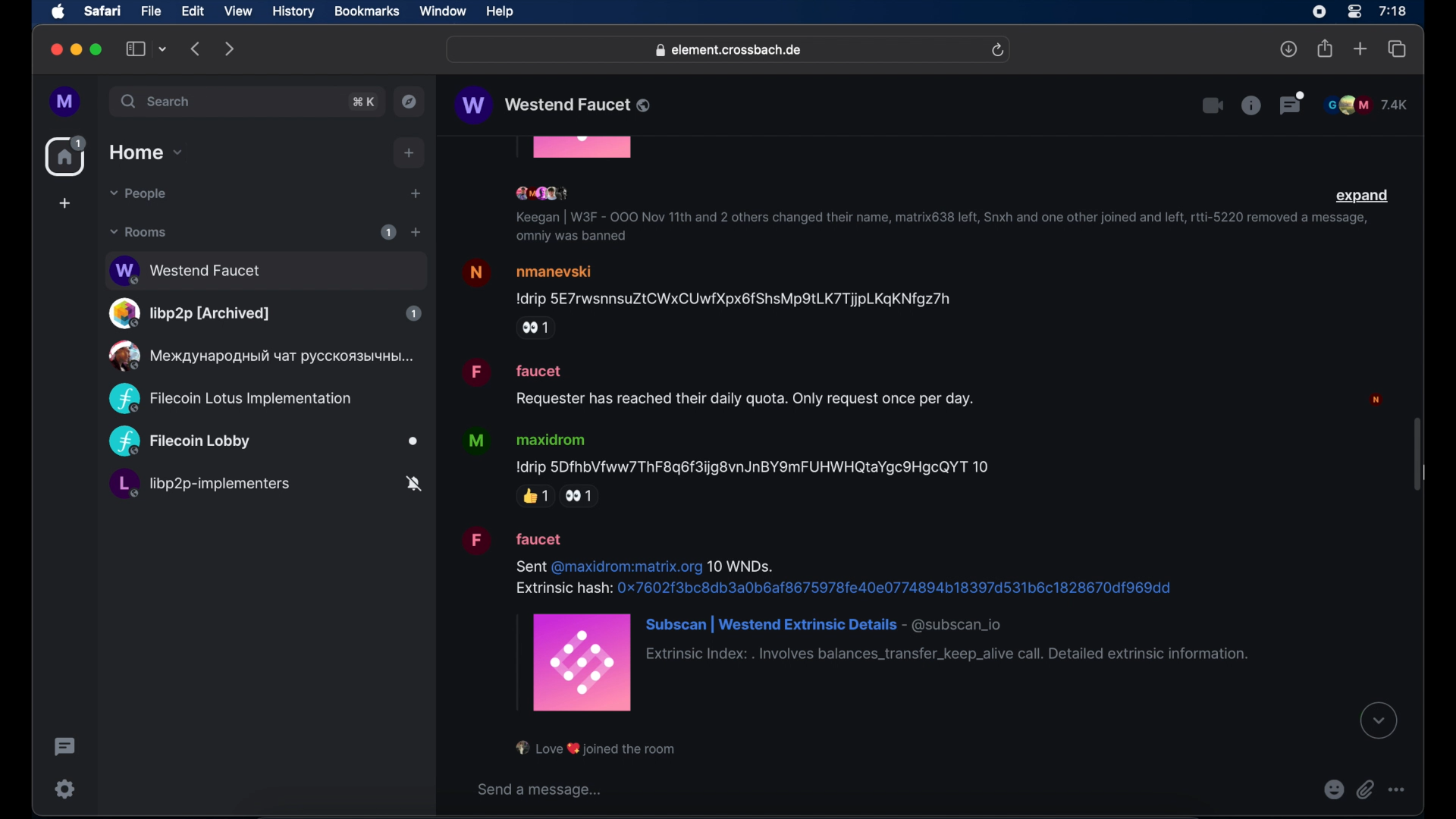 The height and width of the screenshot is (819, 1456). Describe the element at coordinates (1366, 105) in the screenshot. I see `participants` at that location.